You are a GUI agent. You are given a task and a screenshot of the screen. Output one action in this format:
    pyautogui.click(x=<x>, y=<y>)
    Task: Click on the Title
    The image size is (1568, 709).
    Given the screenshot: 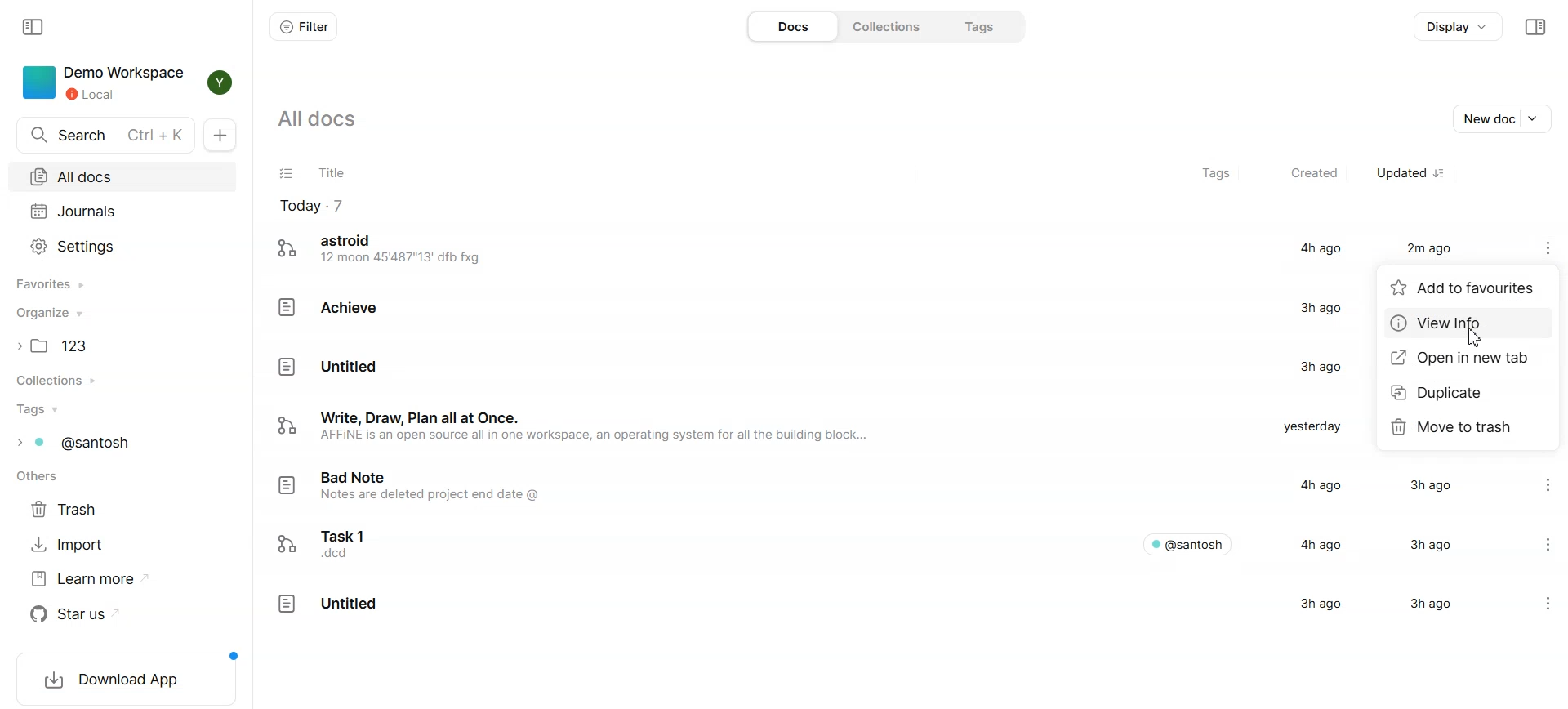 What is the action you would take?
    pyautogui.click(x=330, y=173)
    